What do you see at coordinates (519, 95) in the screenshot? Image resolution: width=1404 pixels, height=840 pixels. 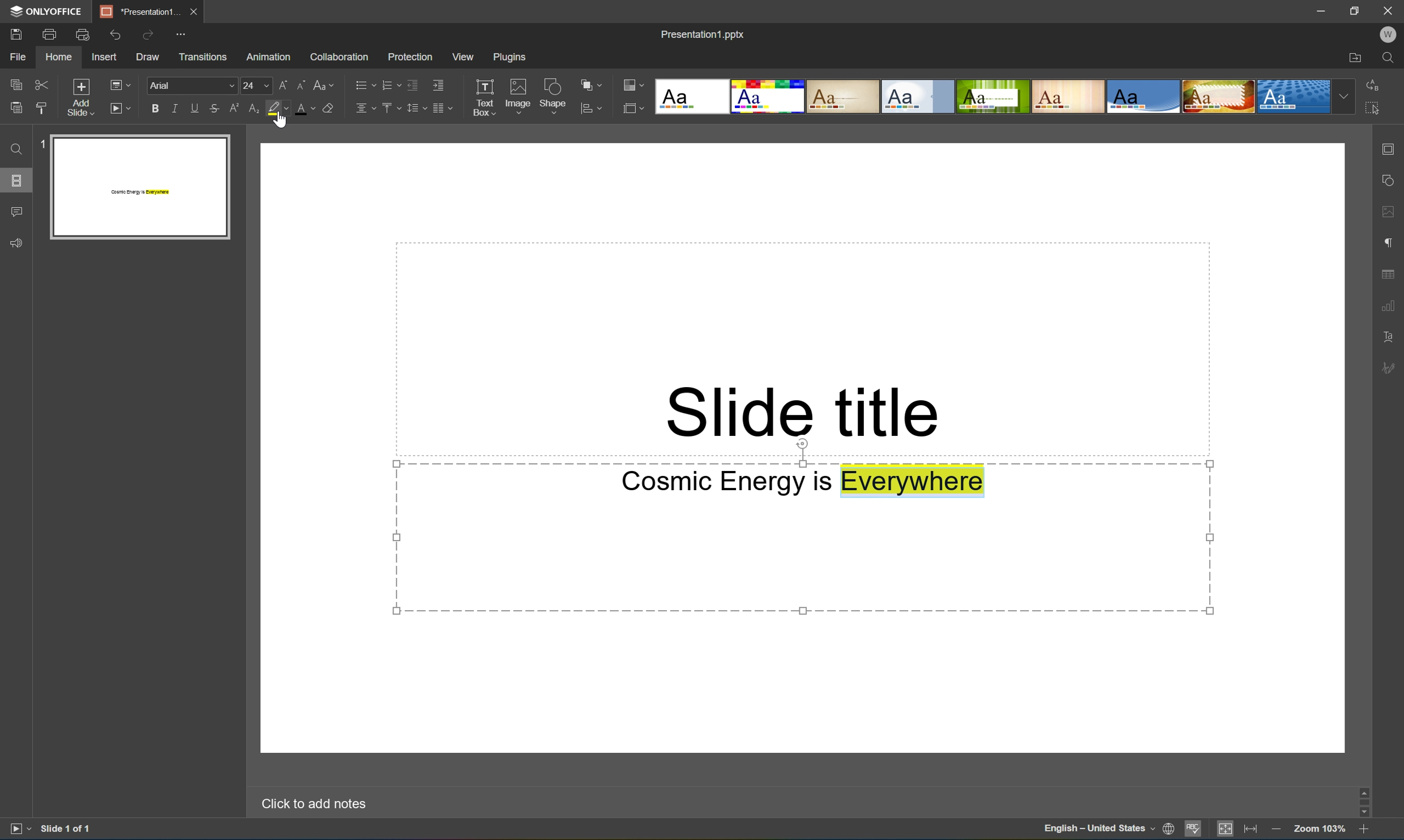 I see `Image` at bounding box center [519, 95].